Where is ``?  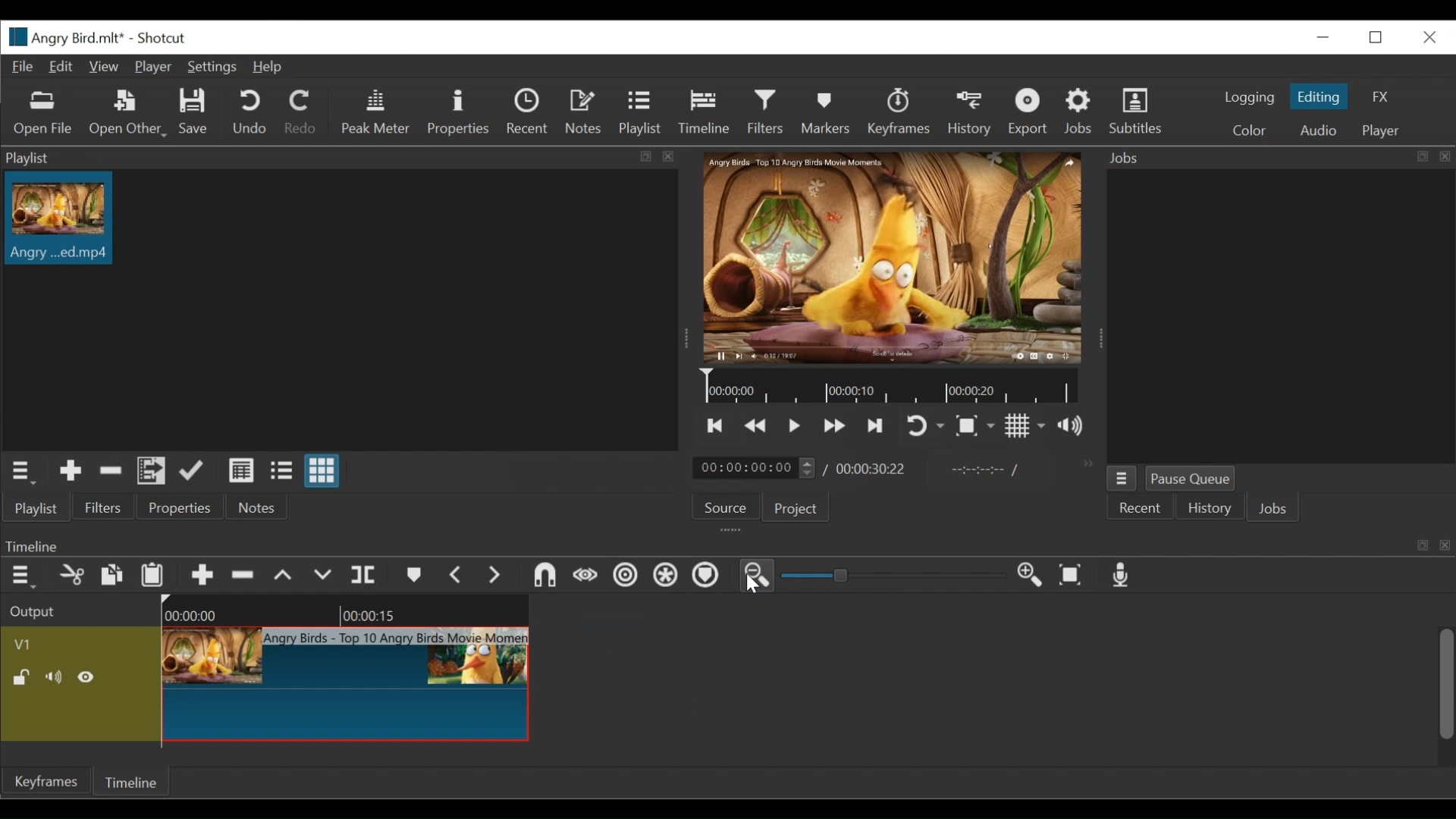
 is located at coordinates (1250, 99).